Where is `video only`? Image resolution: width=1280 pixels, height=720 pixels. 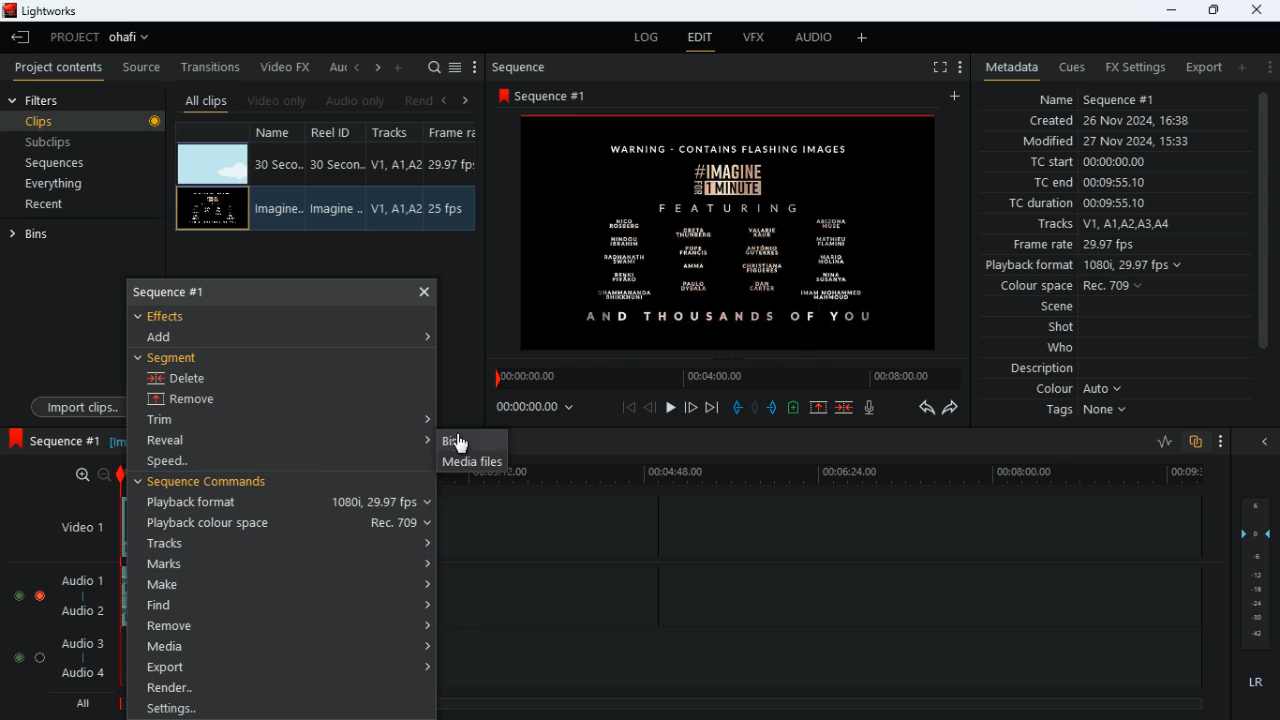
video only is located at coordinates (278, 99).